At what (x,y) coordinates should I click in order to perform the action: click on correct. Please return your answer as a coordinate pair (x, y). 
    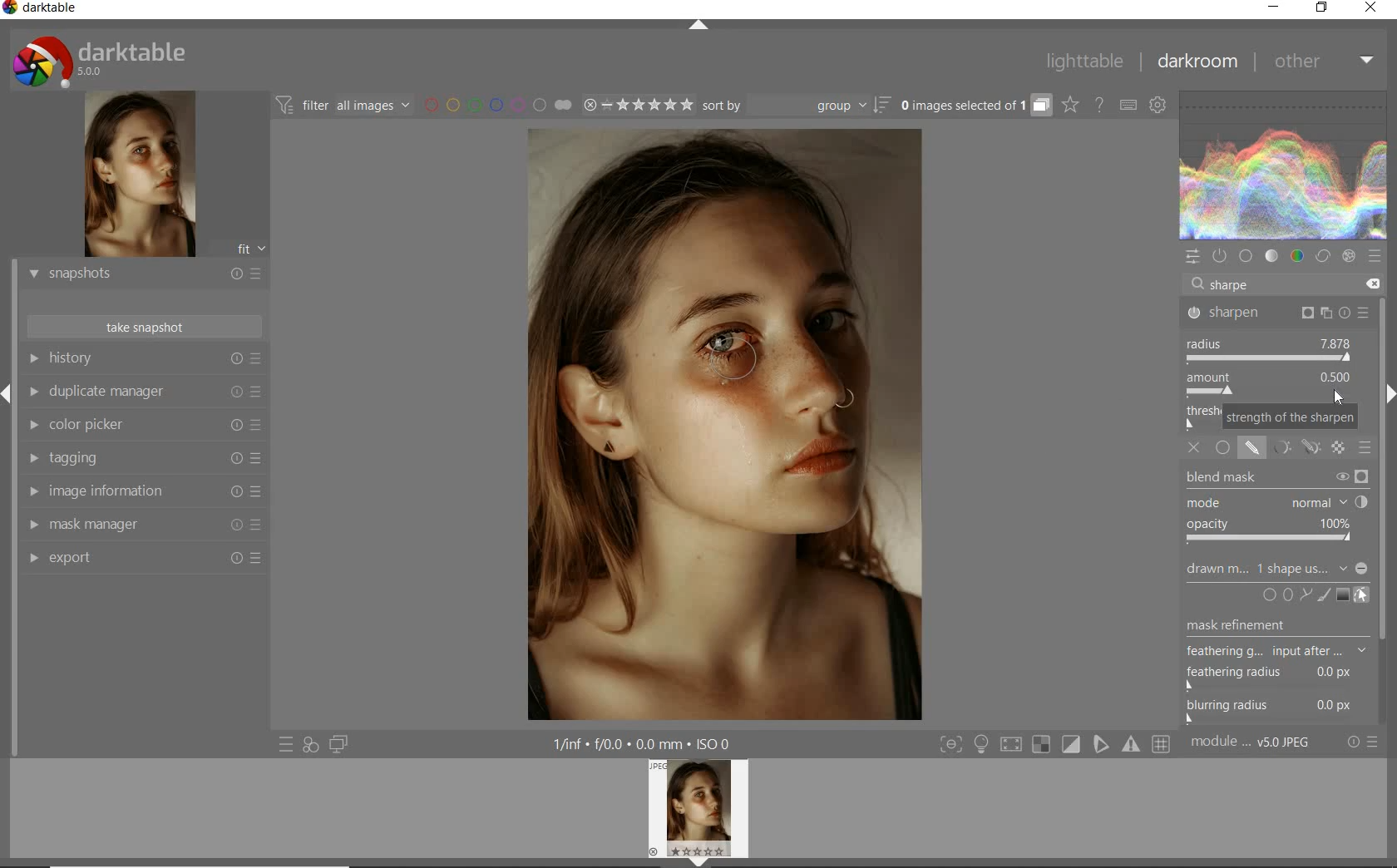
    Looking at the image, I should click on (1322, 258).